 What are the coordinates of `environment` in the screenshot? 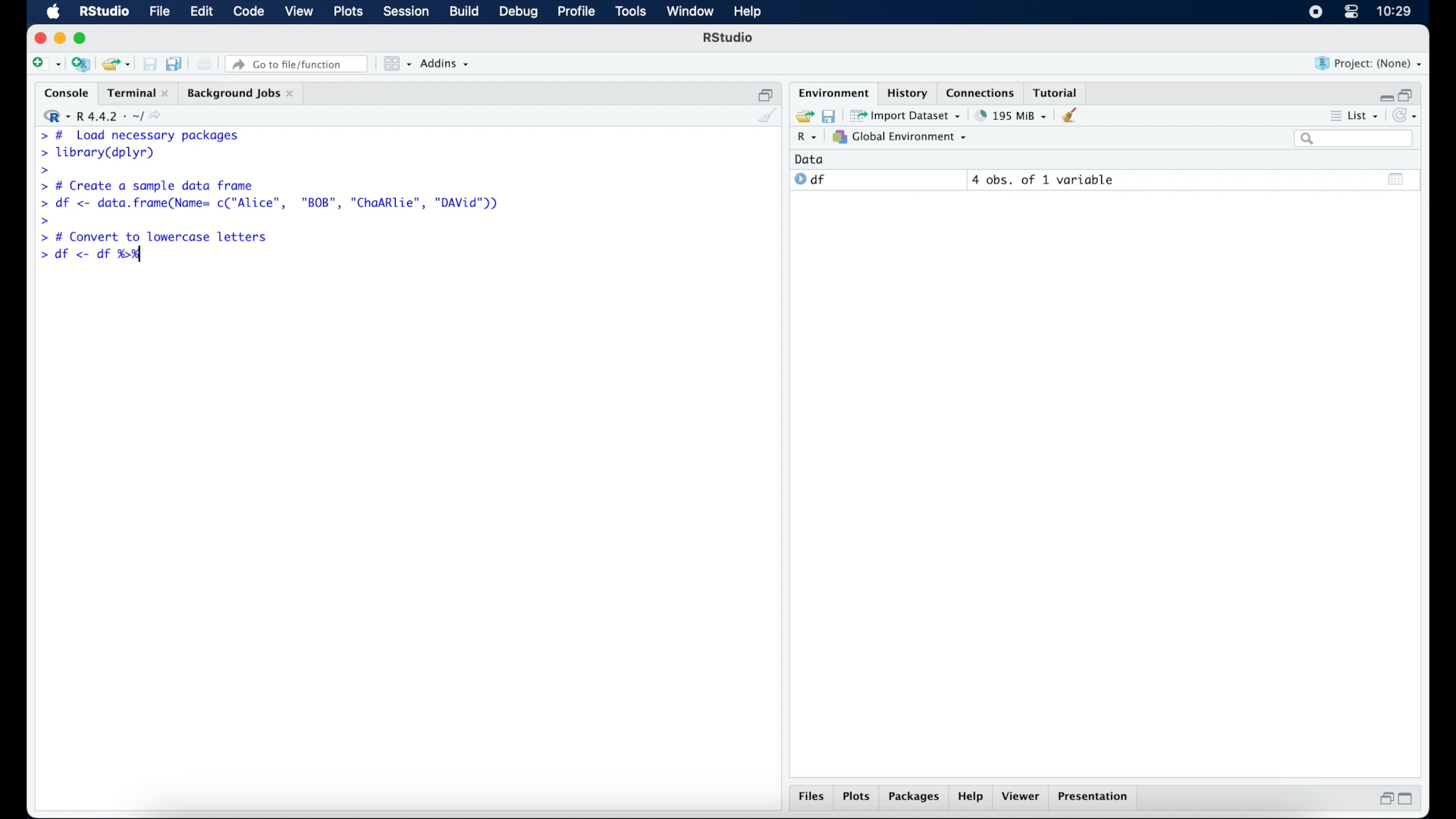 It's located at (831, 92).